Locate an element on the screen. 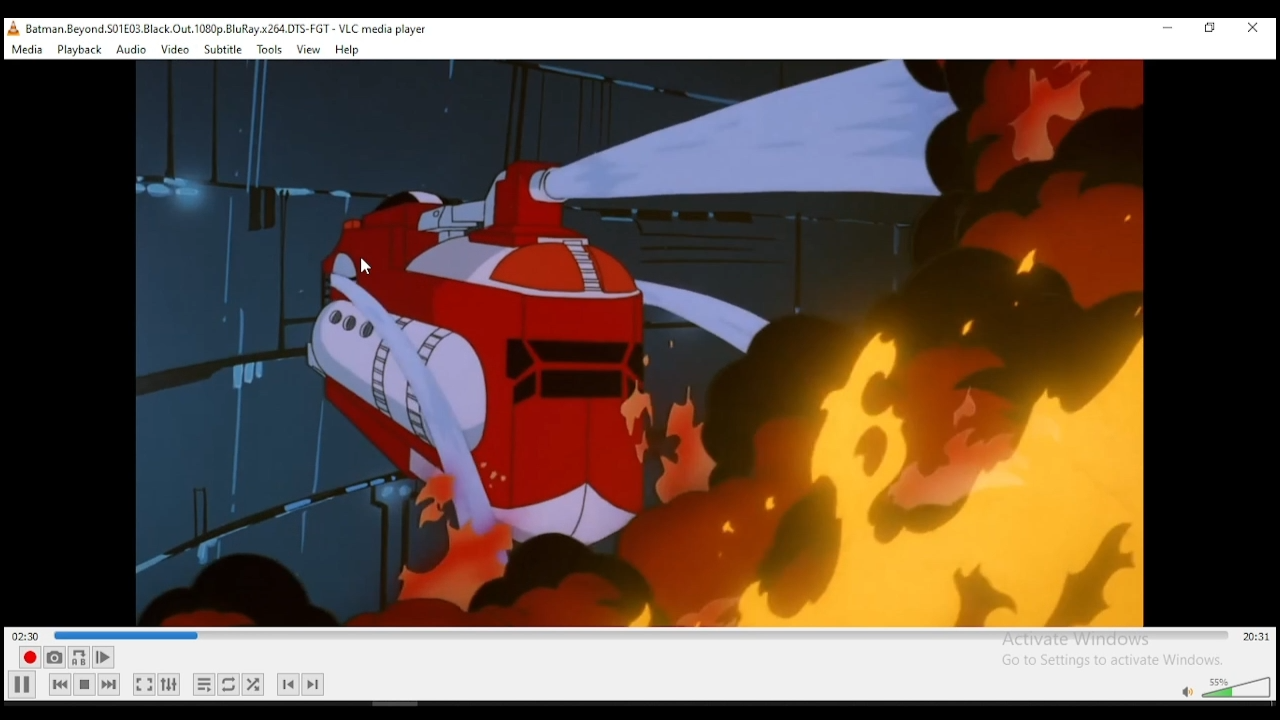  playback is located at coordinates (80, 50).